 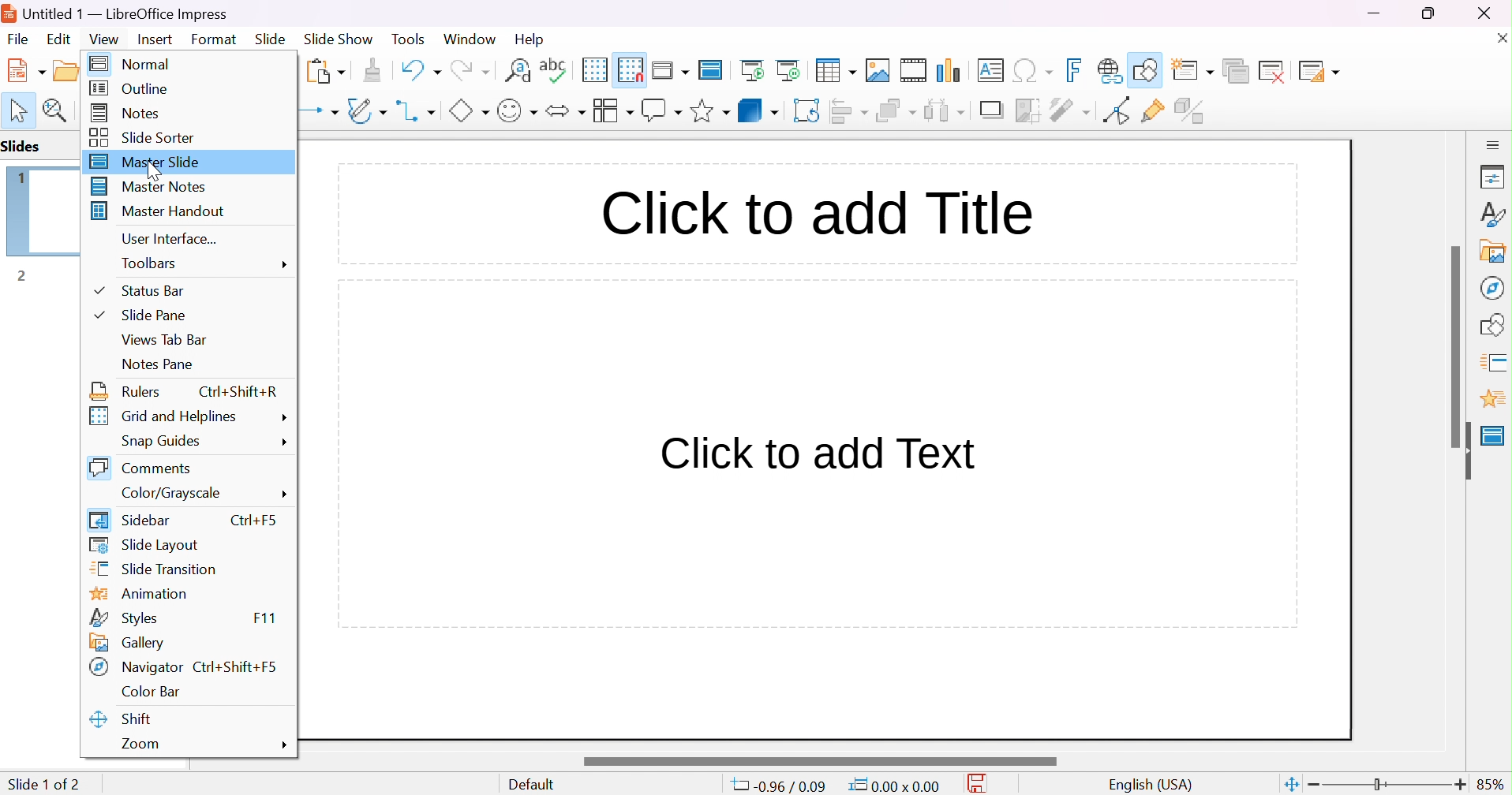 I want to click on close, so click(x=1499, y=37).